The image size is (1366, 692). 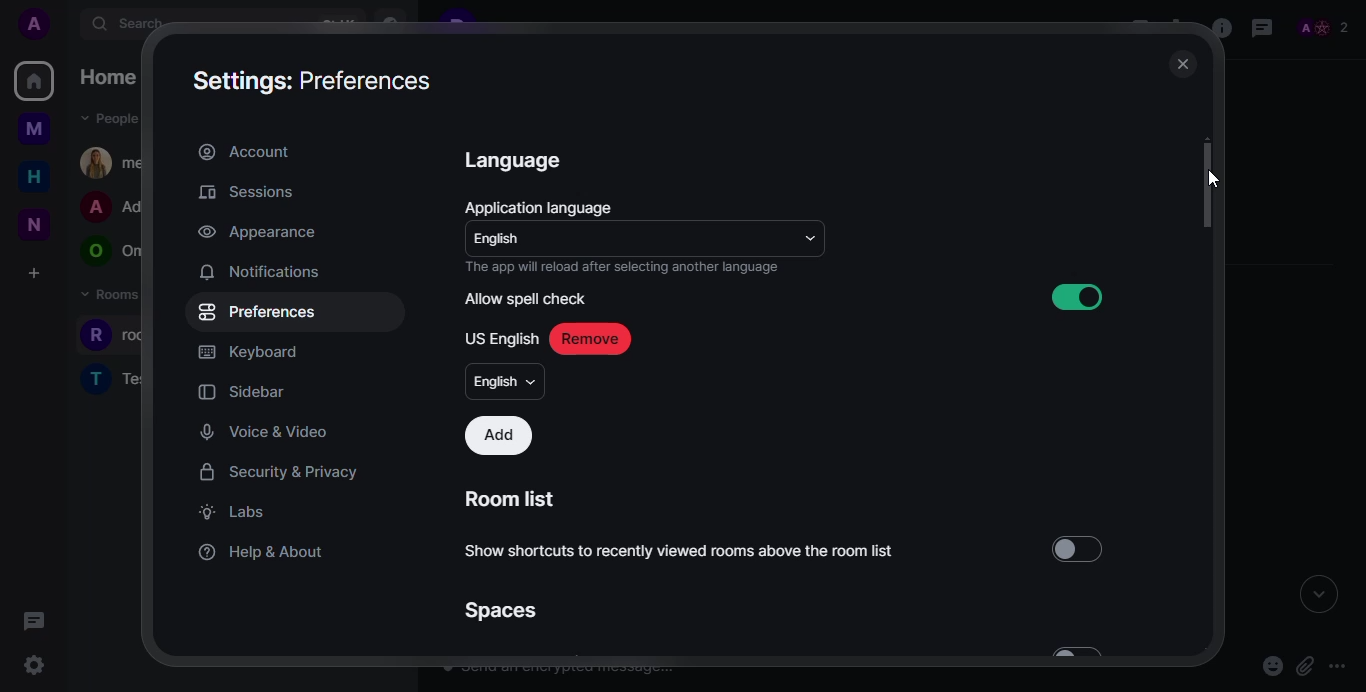 I want to click on people dropdown, so click(x=113, y=119).